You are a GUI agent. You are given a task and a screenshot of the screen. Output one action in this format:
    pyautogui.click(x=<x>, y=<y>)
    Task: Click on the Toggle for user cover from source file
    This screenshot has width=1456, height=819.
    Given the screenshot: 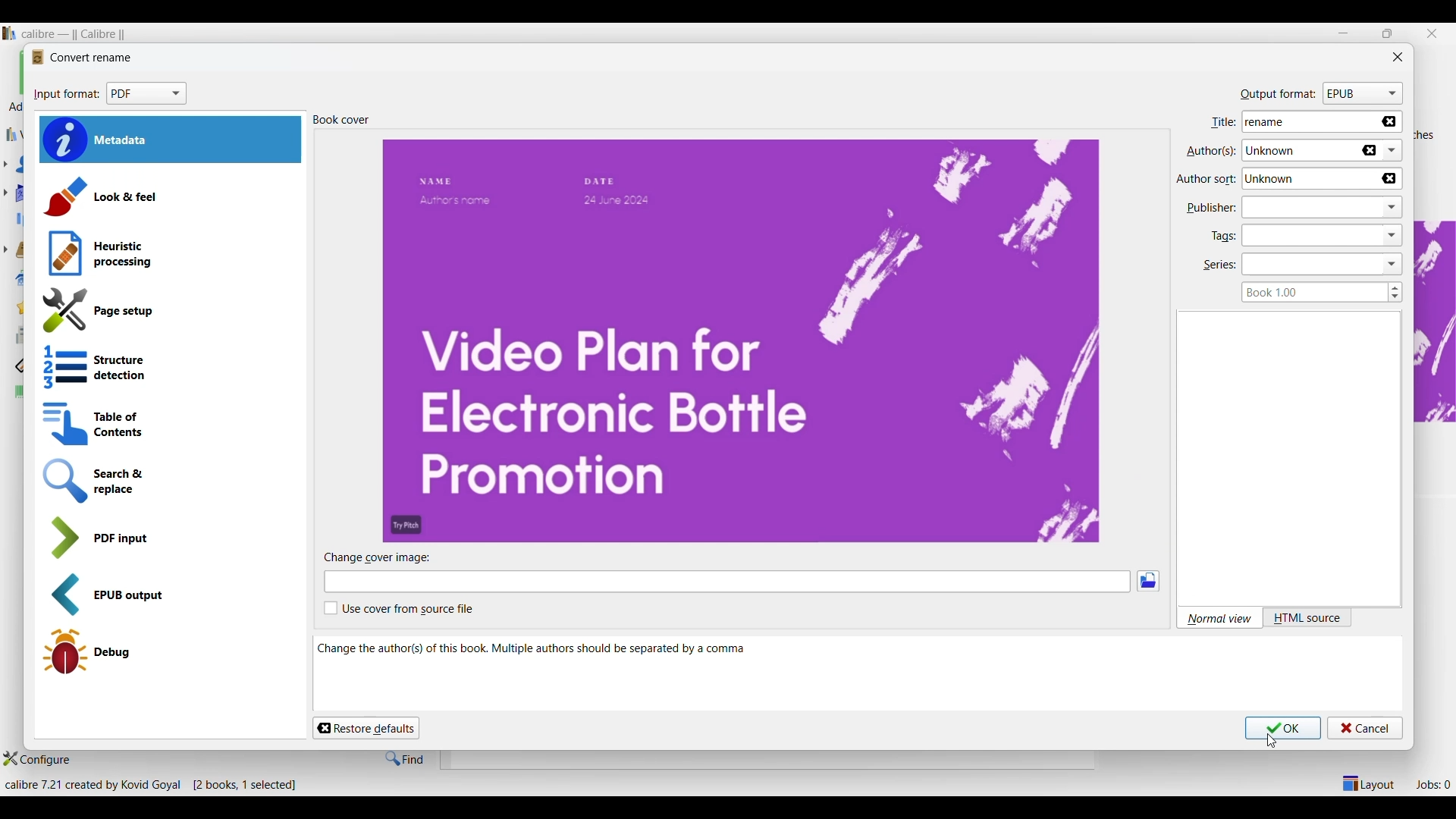 What is the action you would take?
    pyautogui.click(x=398, y=609)
    